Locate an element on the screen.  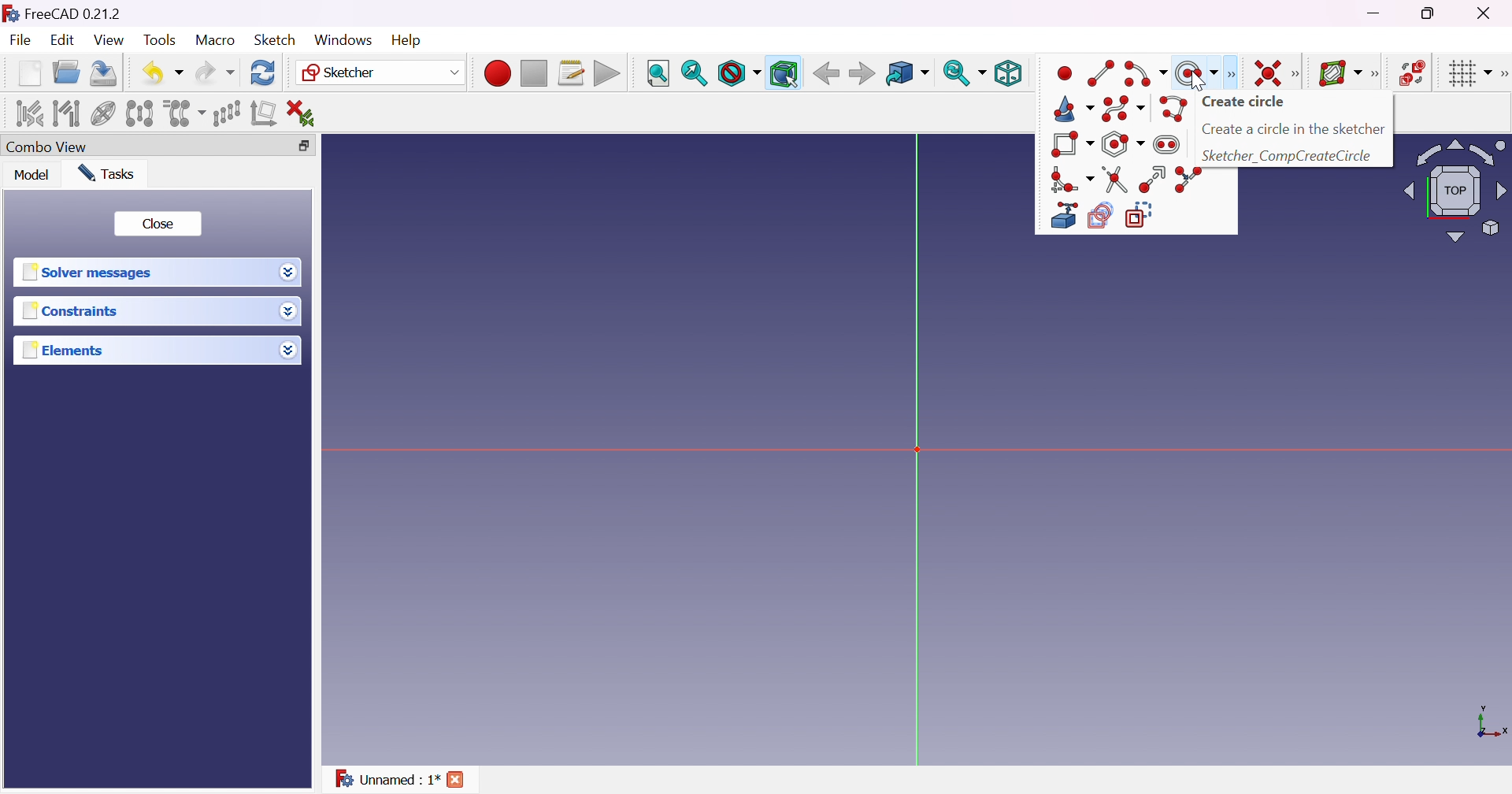
Execute macro is located at coordinates (608, 74).